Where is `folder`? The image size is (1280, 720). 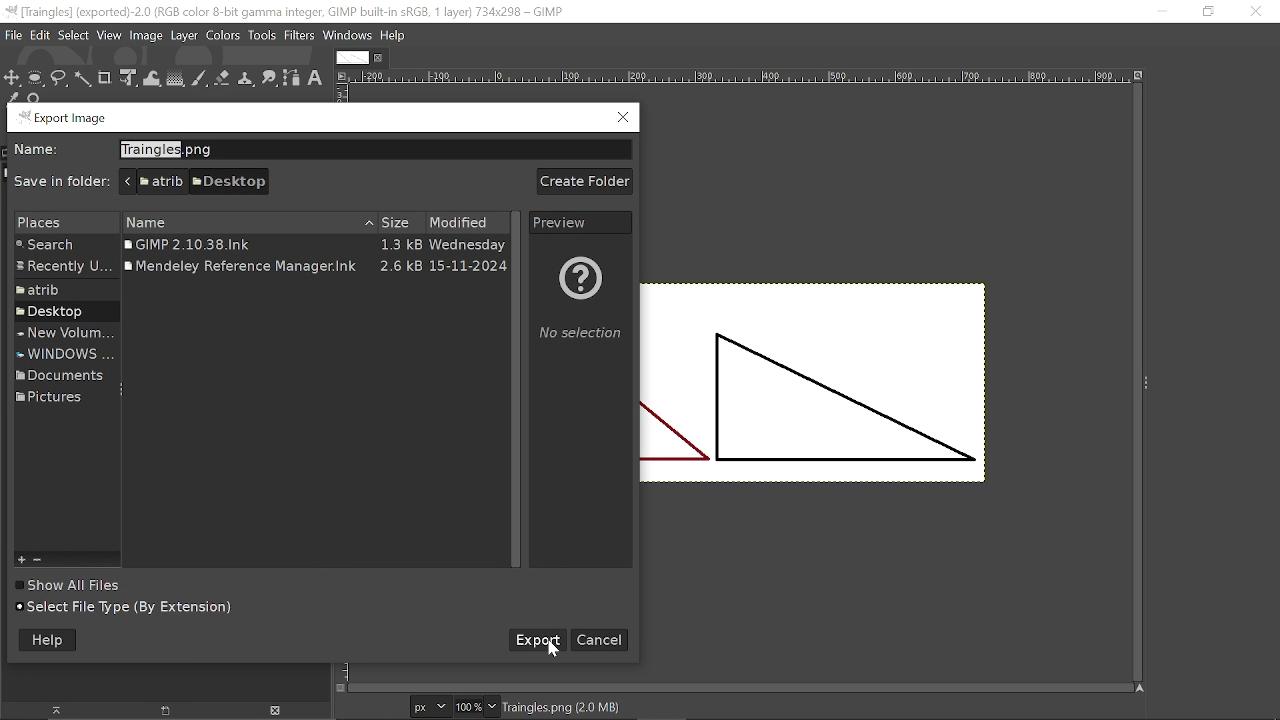
folder is located at coordinates (56, 374).